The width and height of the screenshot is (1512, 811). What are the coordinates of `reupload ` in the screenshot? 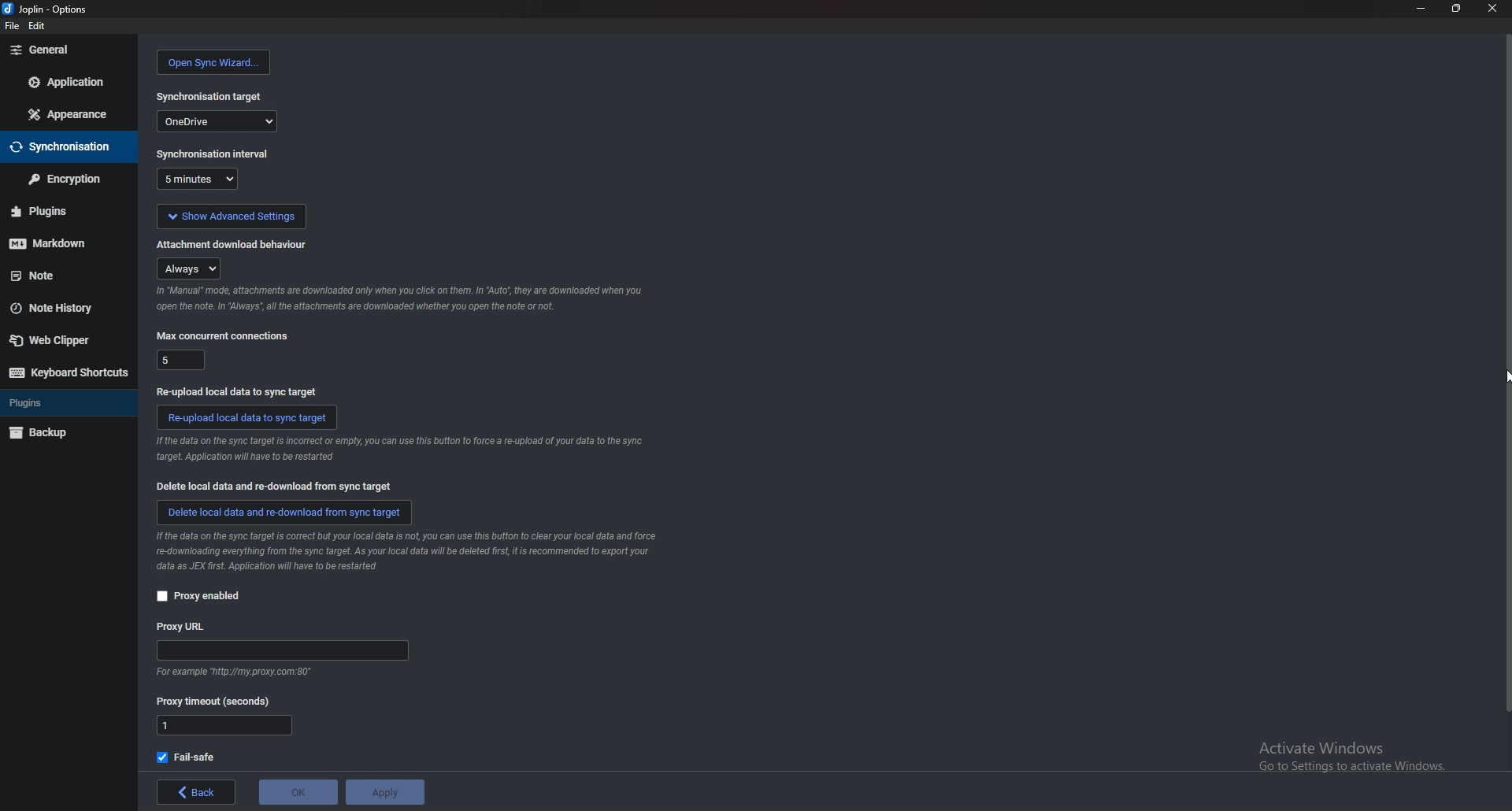 It's located at (235, 391).